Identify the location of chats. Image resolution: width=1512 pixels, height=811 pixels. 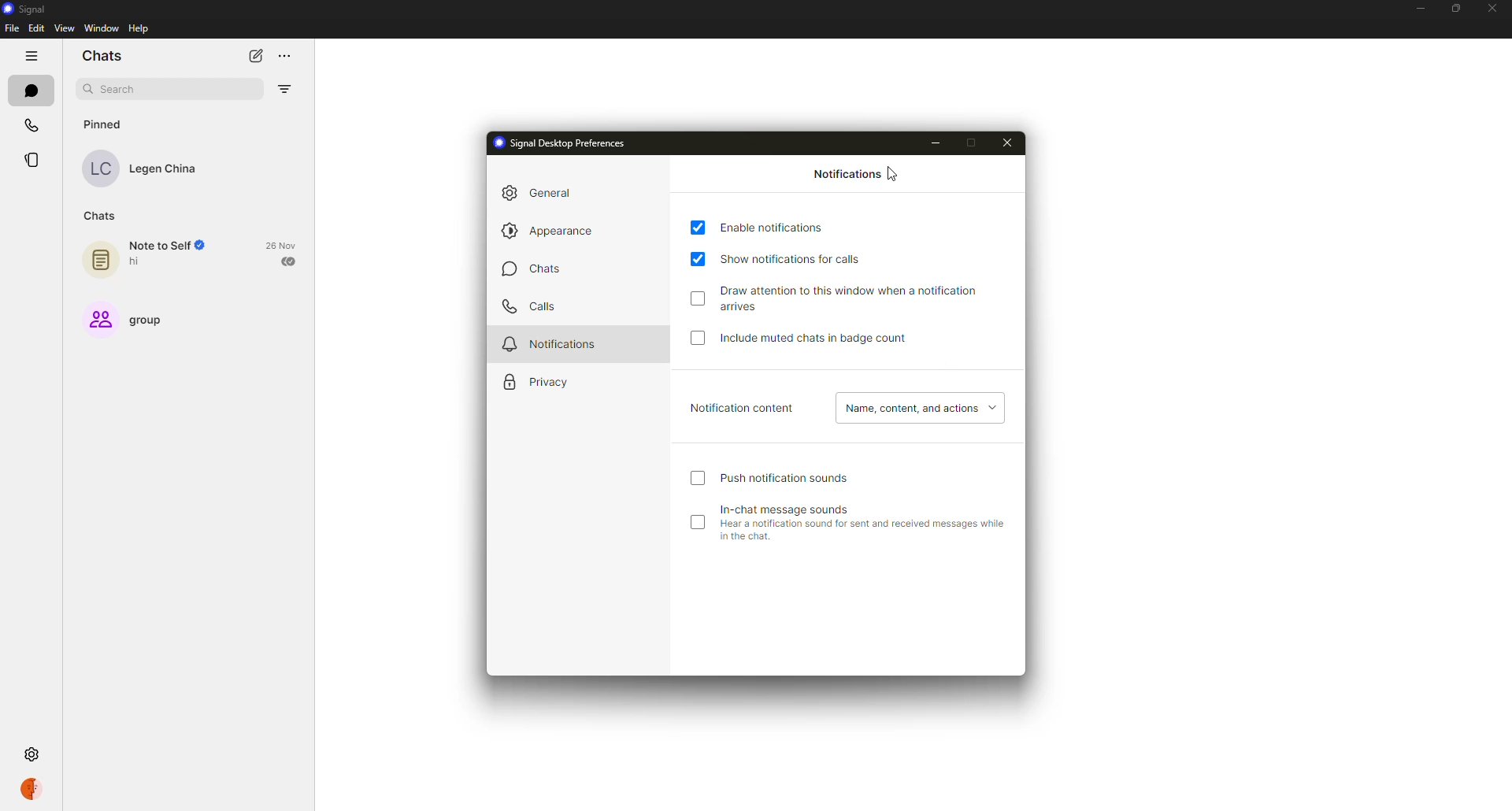
(102, 216).